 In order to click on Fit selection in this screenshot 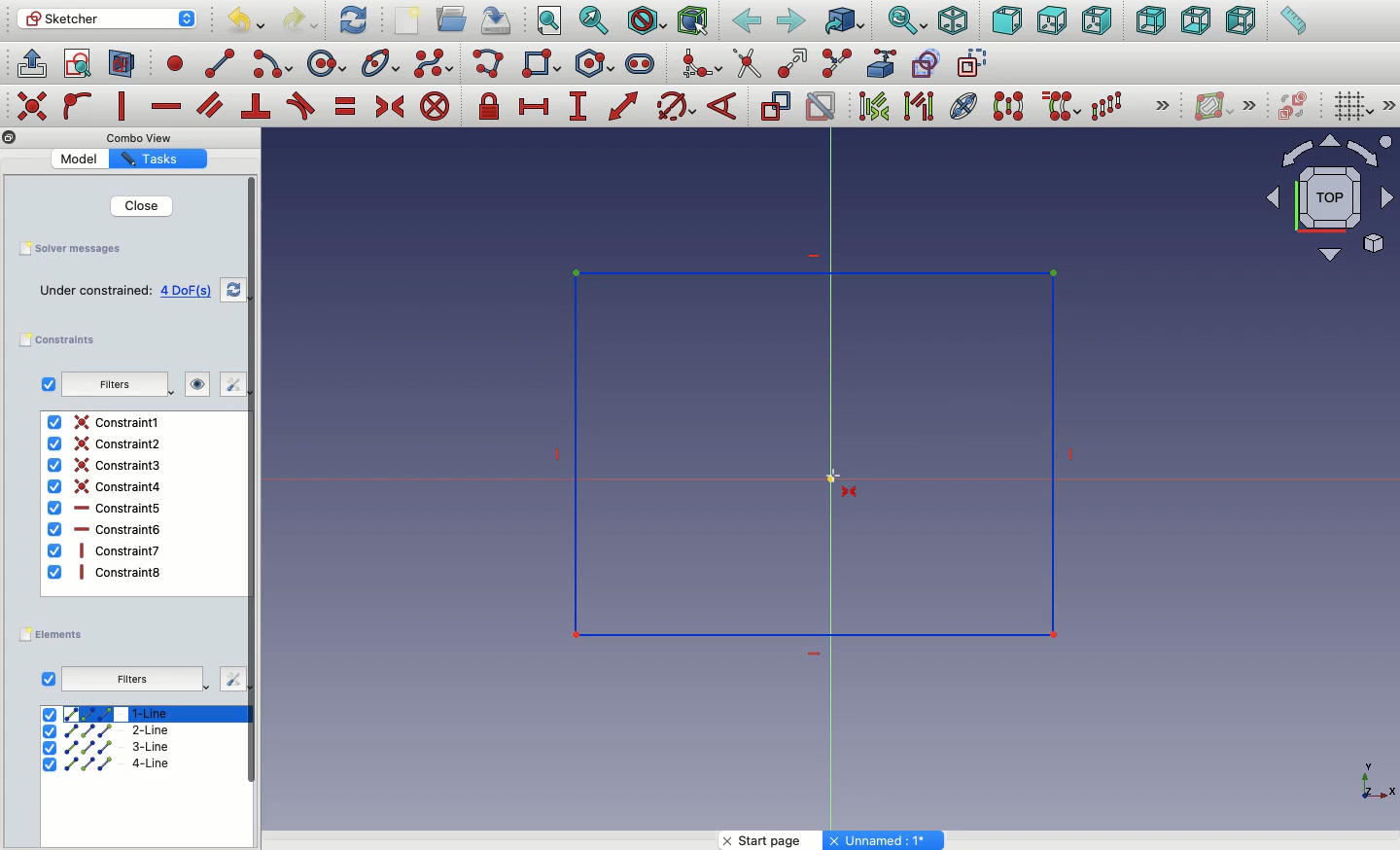, I will do `click(594, 20)`.